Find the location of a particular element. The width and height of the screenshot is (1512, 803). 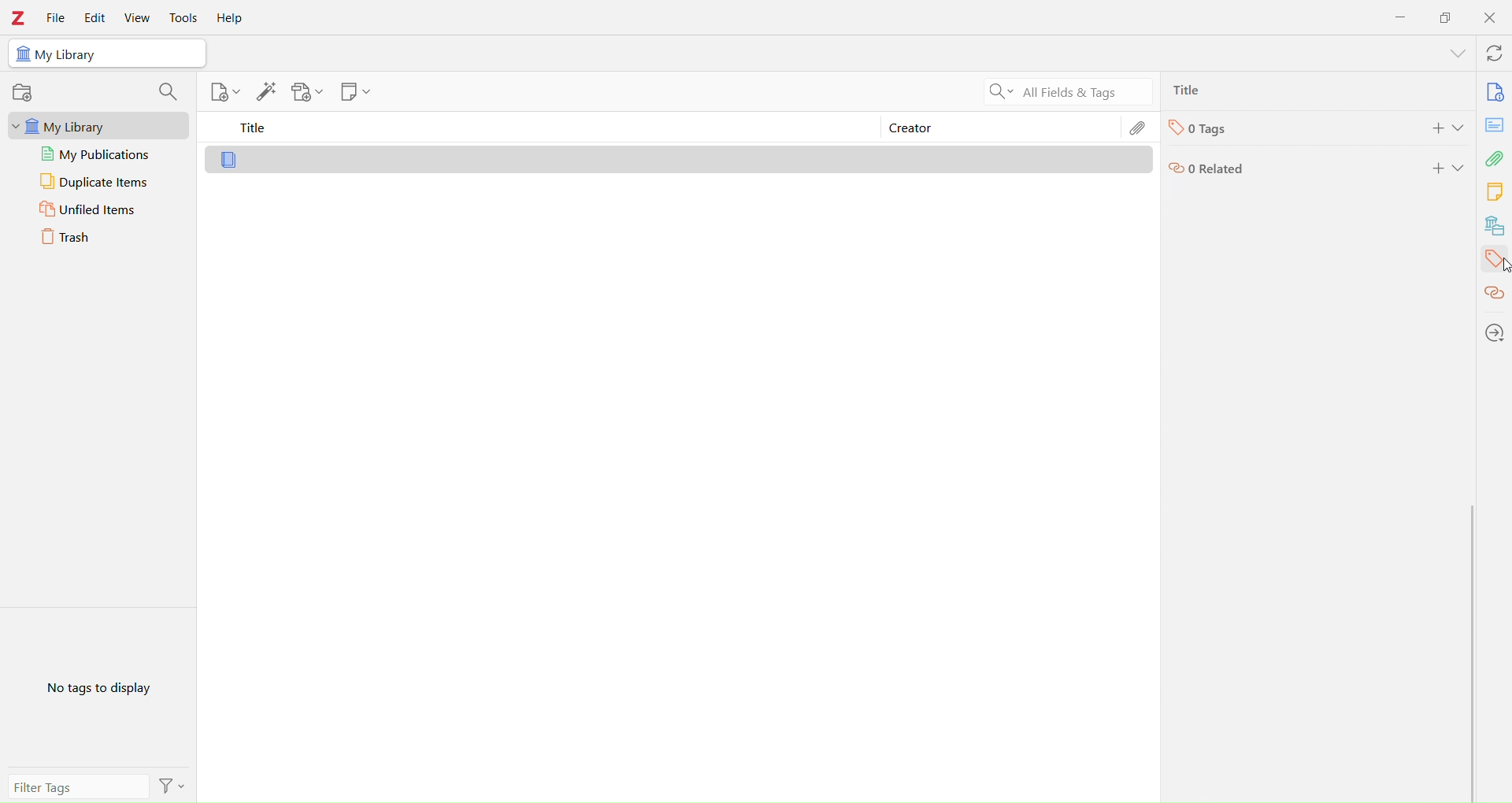

No Tags to Display is located at coordinates (106, 689).